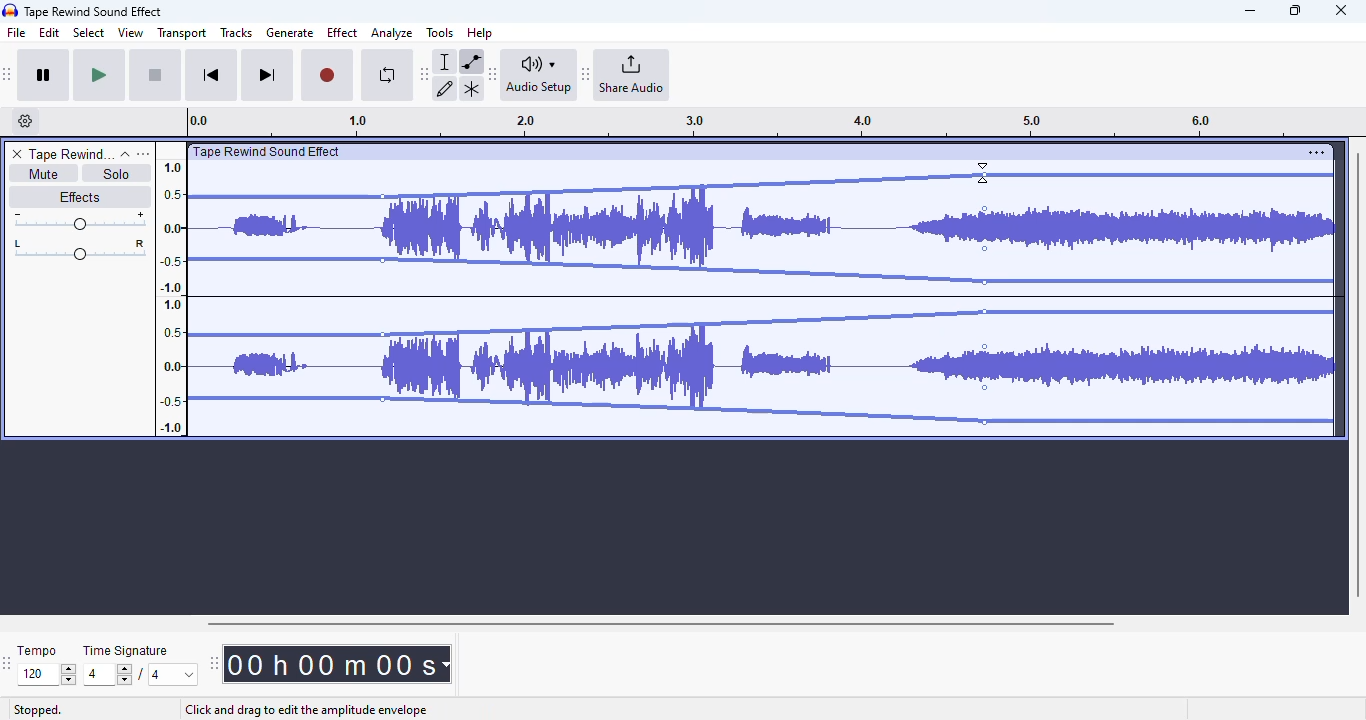  I want to click on Control point, so click(382, 260).